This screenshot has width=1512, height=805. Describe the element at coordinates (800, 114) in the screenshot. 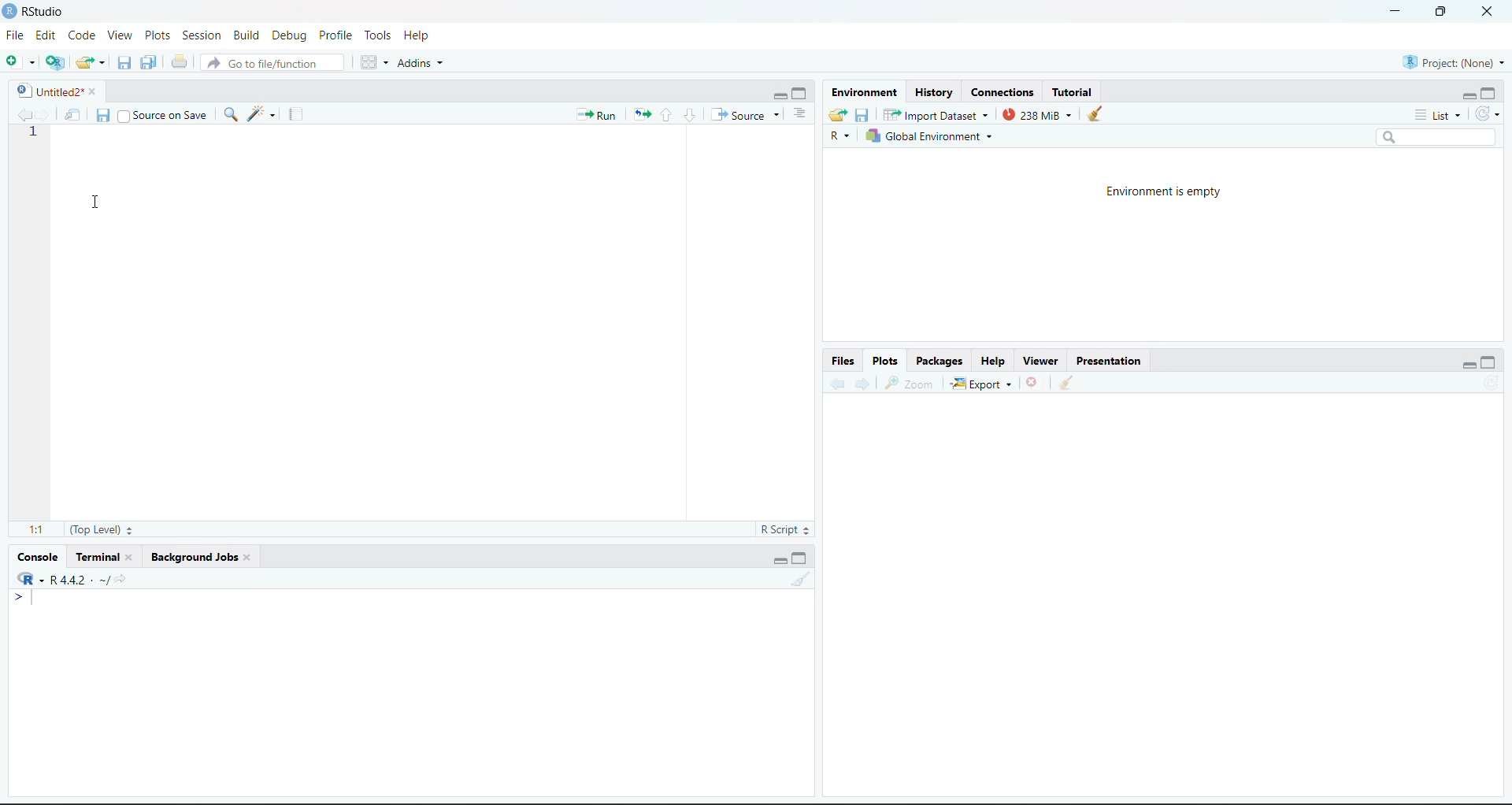

I see `options` at that location.